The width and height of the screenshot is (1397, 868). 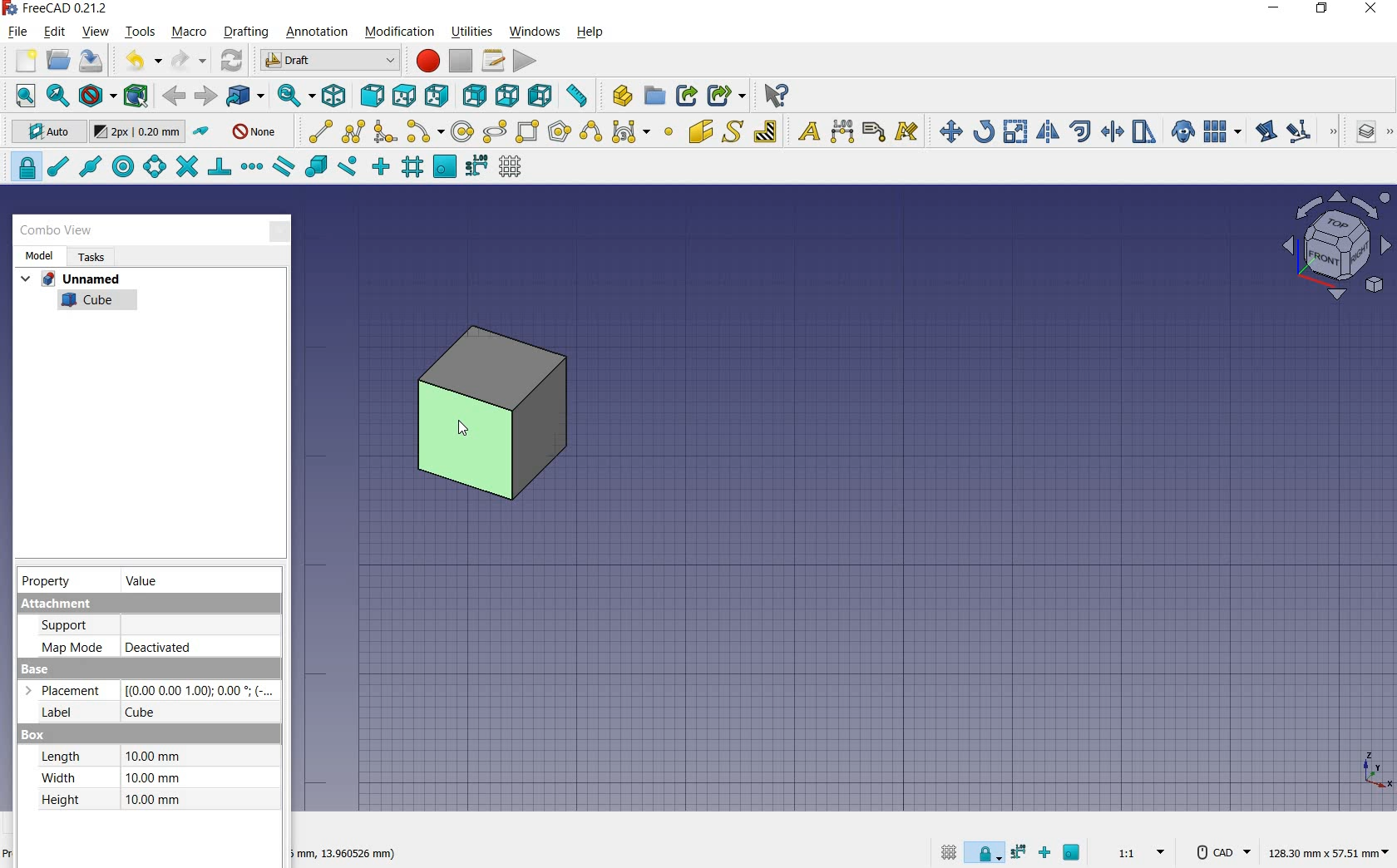 I want to click on snap ortho, so click(x=379, y=165).